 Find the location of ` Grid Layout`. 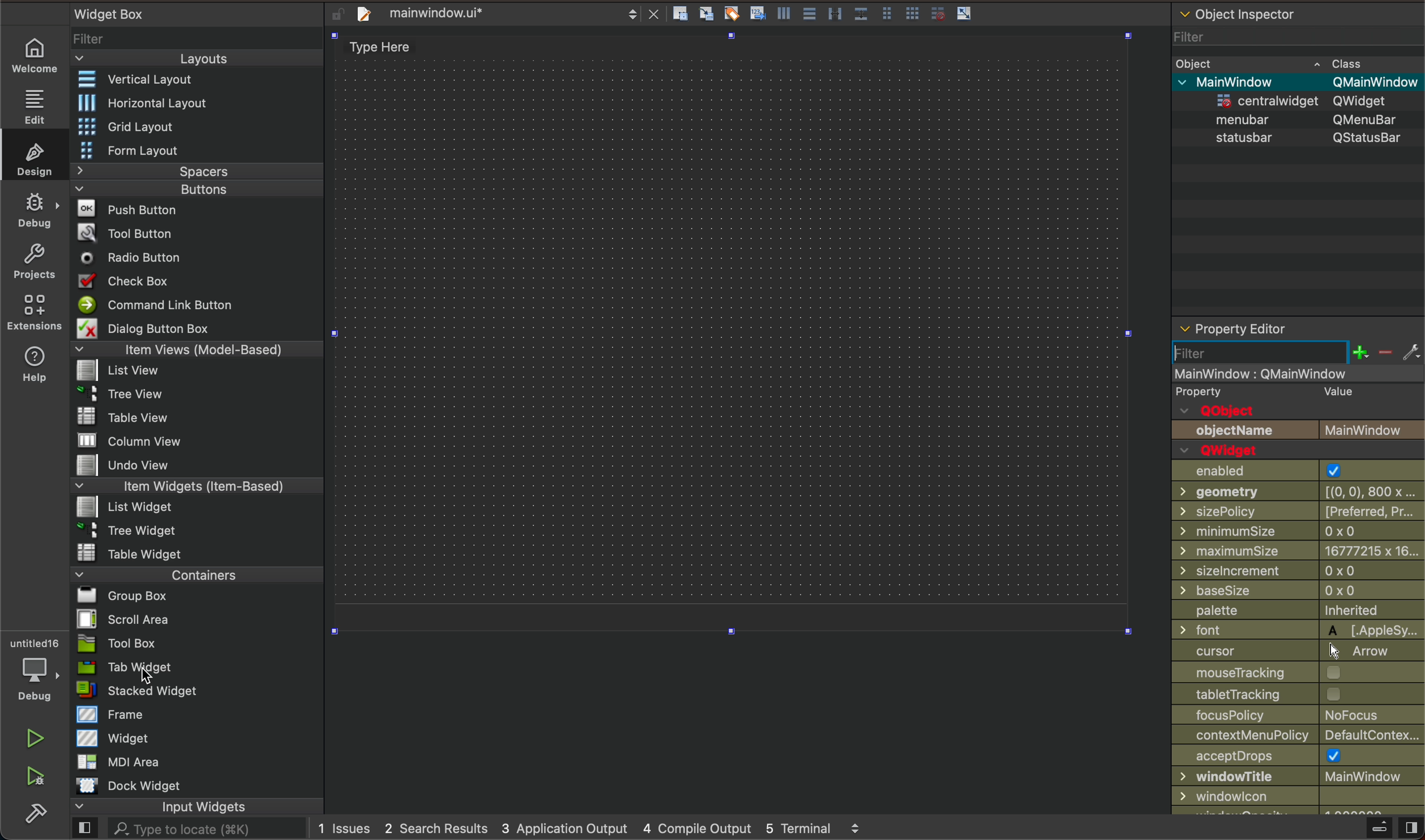

 Grid Layout is located at coordinates (120, 126).